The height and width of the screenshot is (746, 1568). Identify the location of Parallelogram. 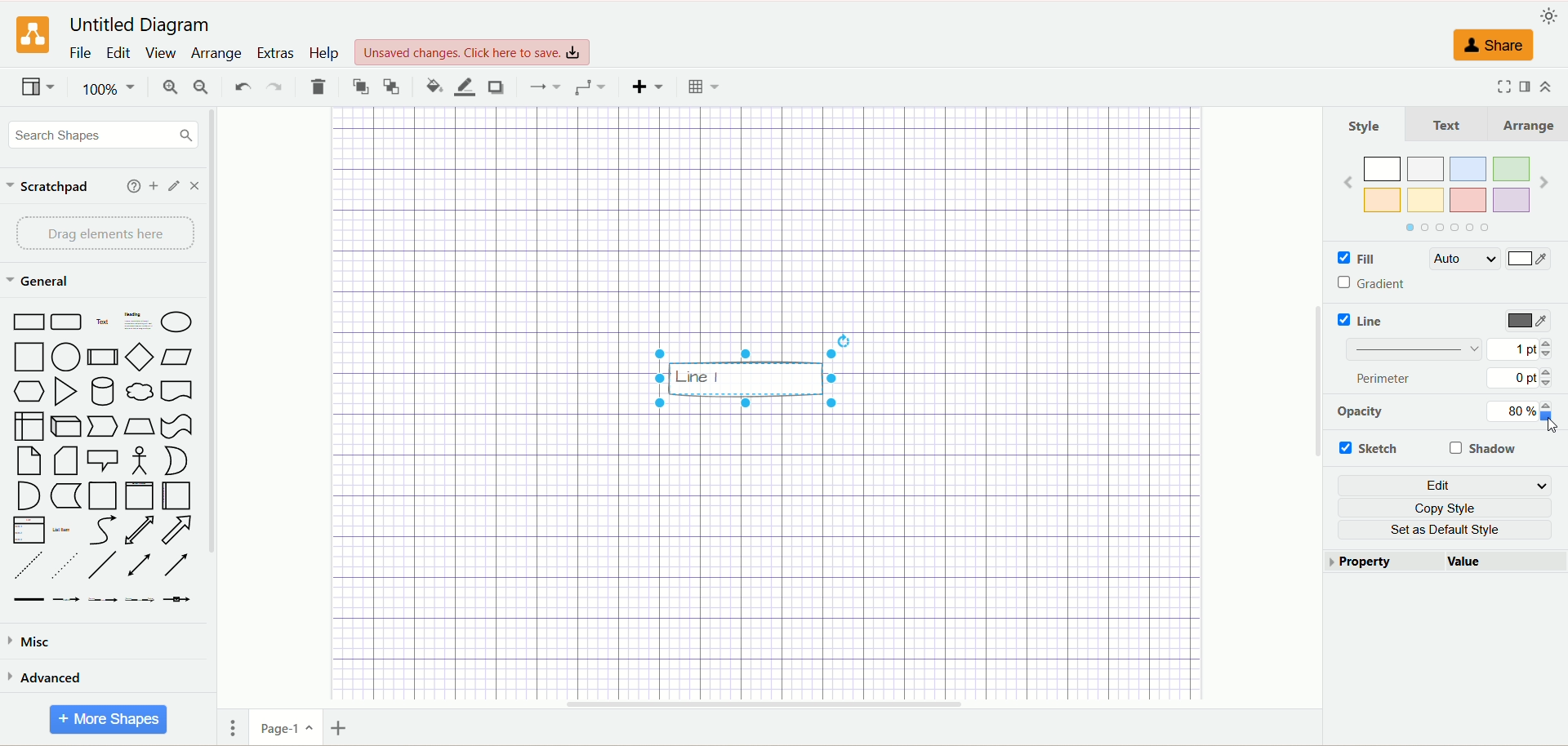
(176, 357).